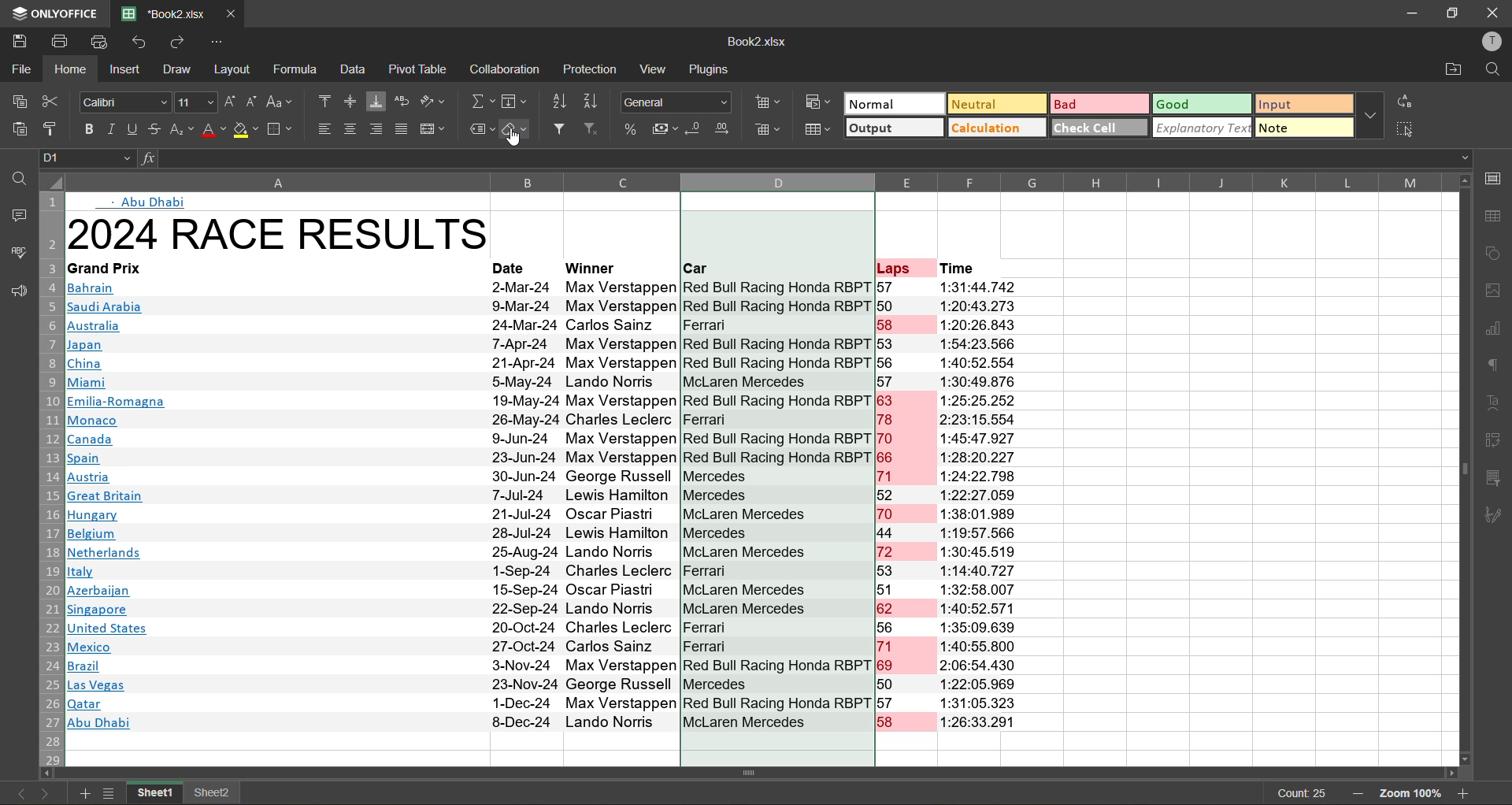  I want to click on IB razil 3-Nov-24 Max Verstappen Red Bull Racing Honda RBPT 69 2:06:54.430, so click(543, 667).